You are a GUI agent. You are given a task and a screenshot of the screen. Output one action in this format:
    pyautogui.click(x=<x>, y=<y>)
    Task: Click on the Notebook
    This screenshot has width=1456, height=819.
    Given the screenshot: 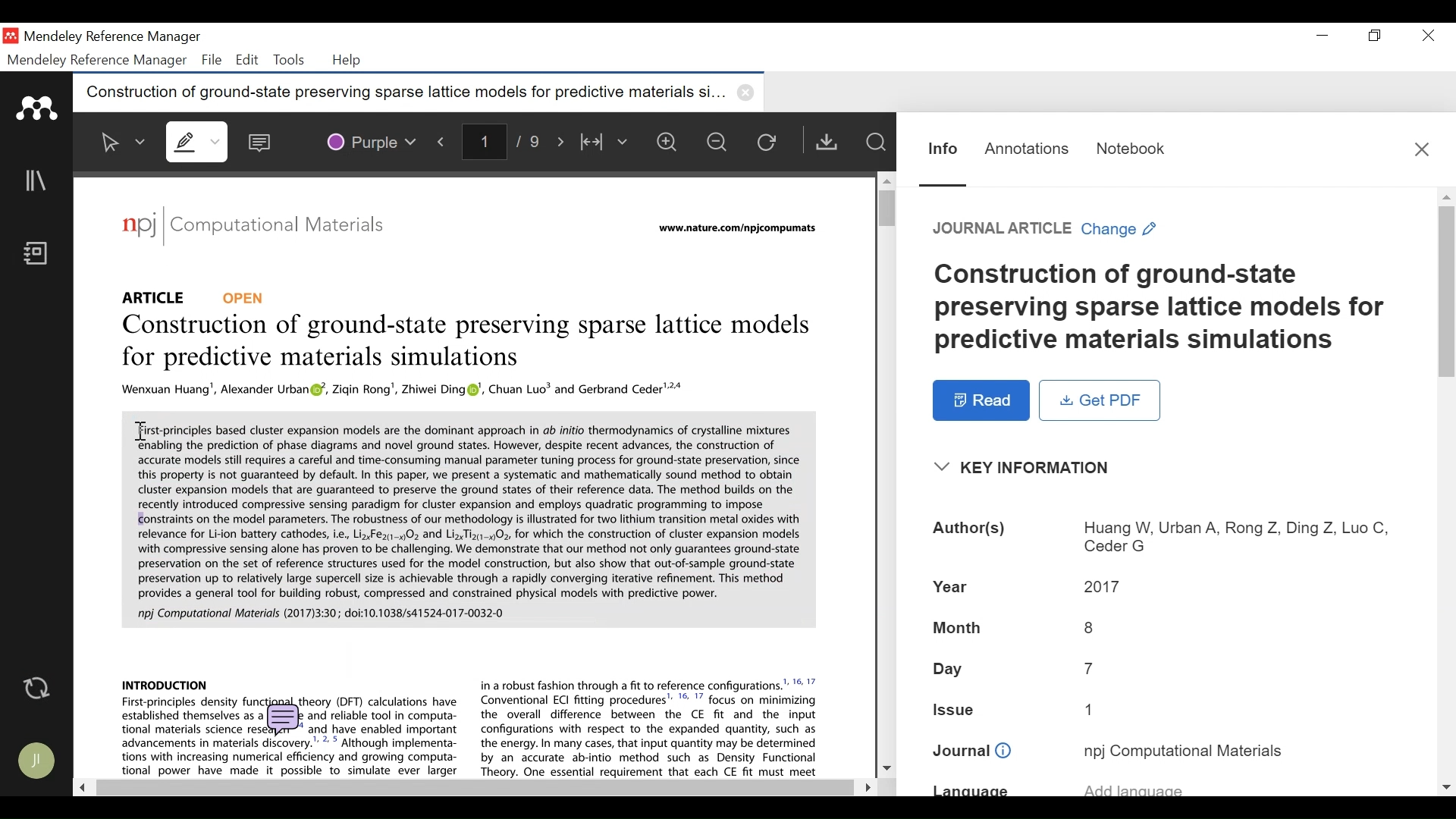 What is the action you would take?
    pyautogui.click(x=1131, y=149)
    